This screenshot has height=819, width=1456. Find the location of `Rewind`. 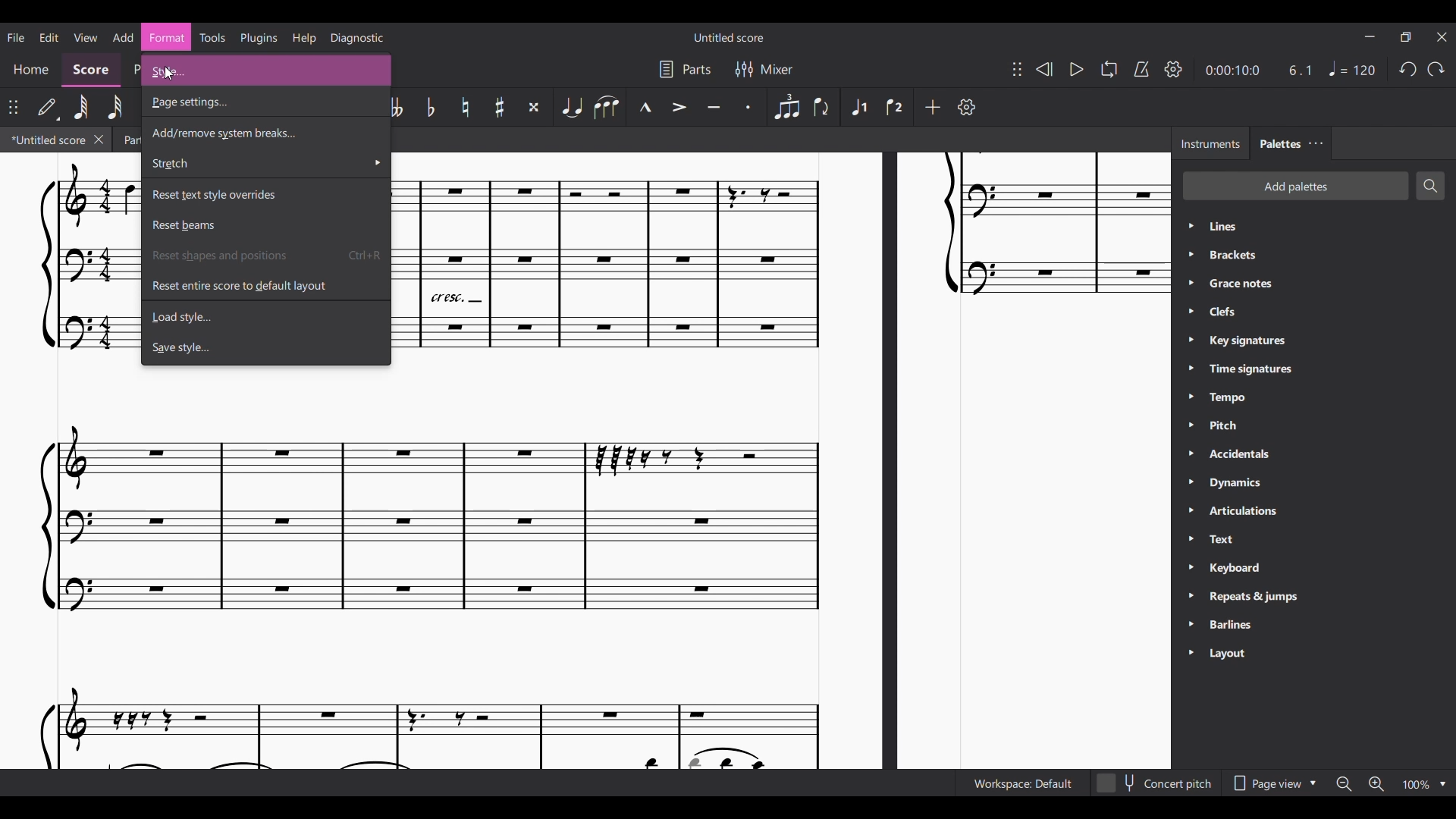

Rewind is located at coordinates (1043, 69).